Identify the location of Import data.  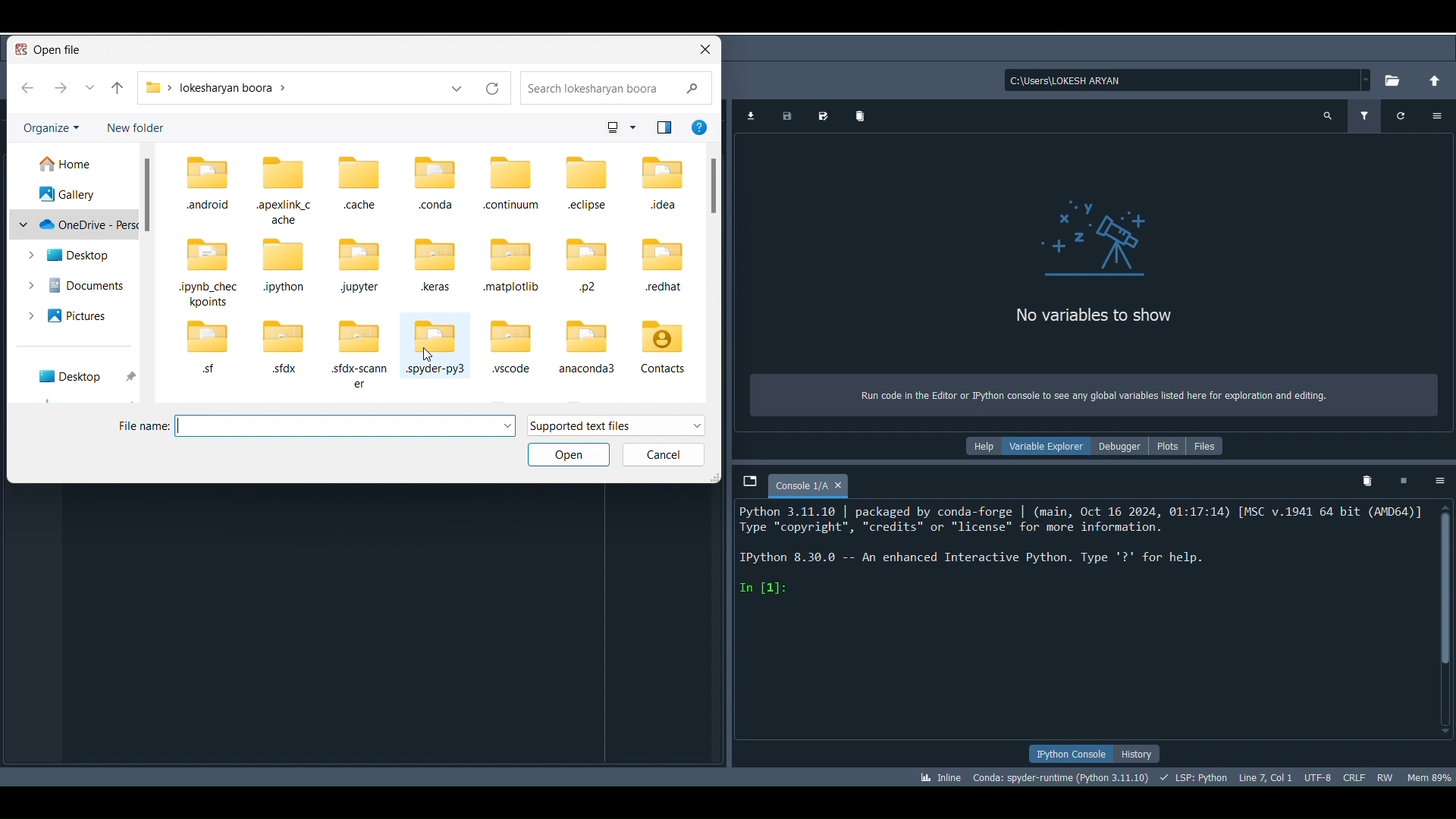
(749, 117).